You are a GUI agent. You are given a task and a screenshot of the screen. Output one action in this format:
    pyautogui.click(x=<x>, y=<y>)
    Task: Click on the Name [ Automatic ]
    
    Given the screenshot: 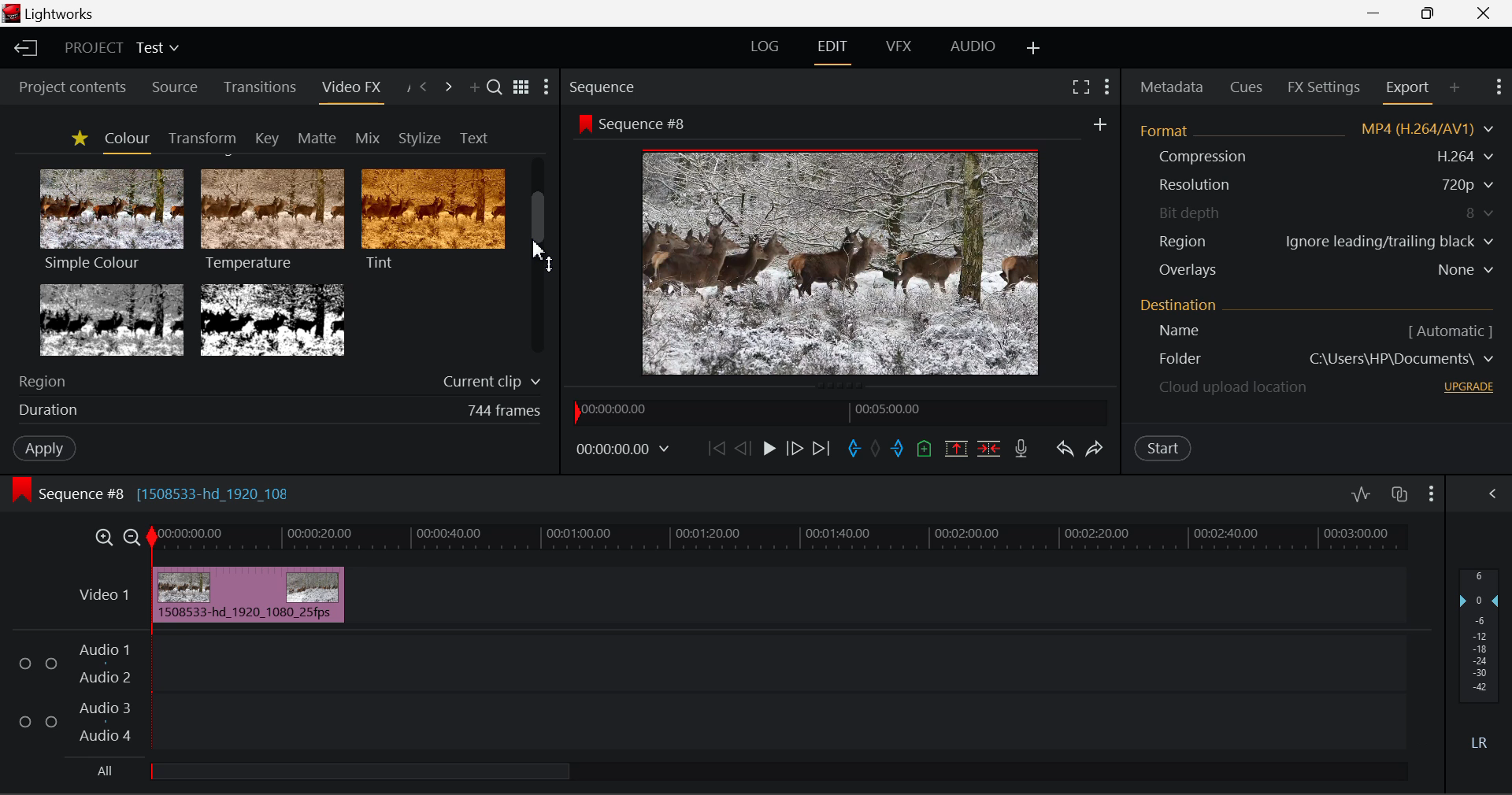 What is the action you would take?
    pyautogui.click(x=1173, y=331)
    